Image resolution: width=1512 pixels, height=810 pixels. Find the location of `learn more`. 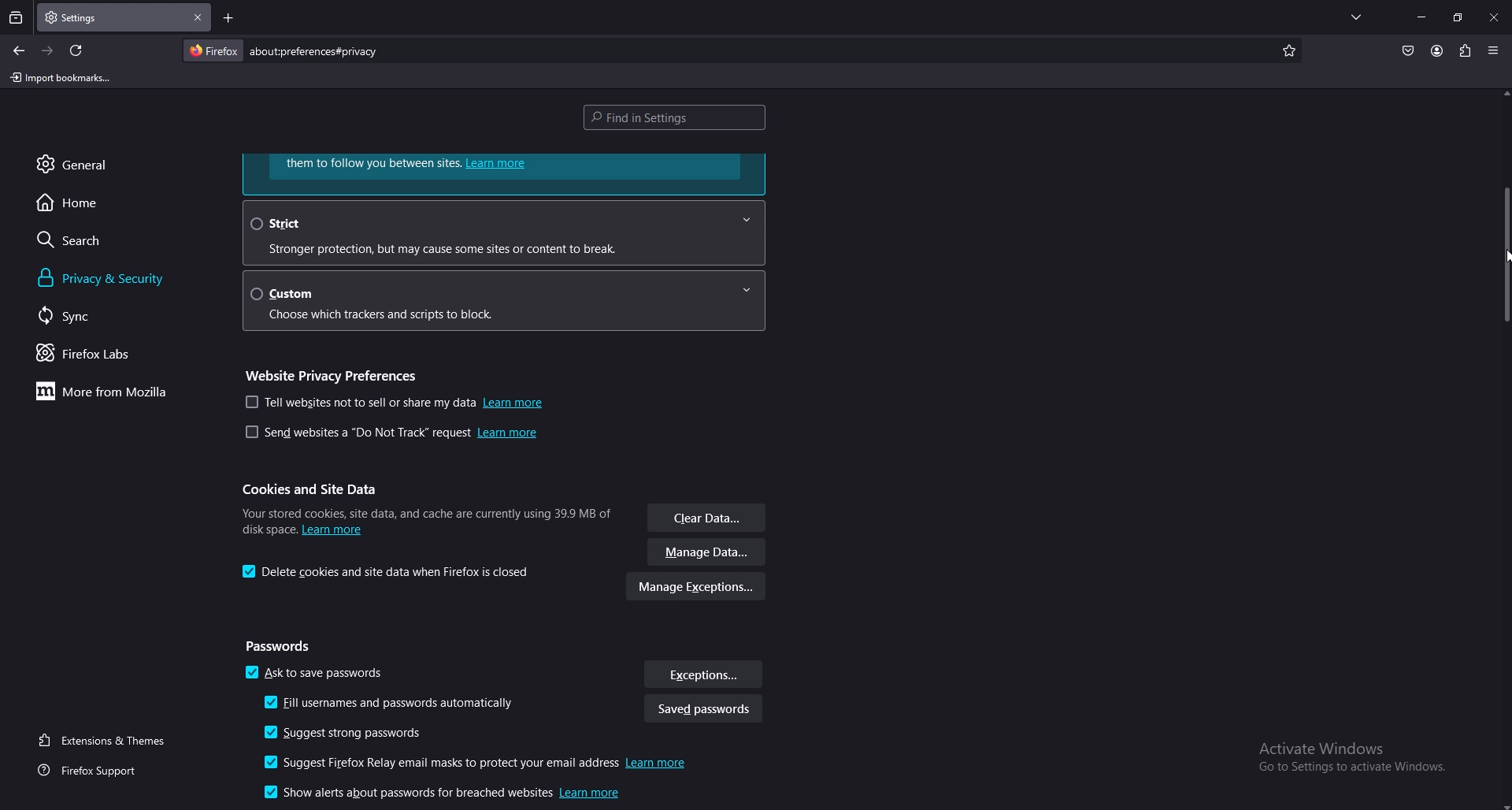

learn more is located at coordinates (505, 173).